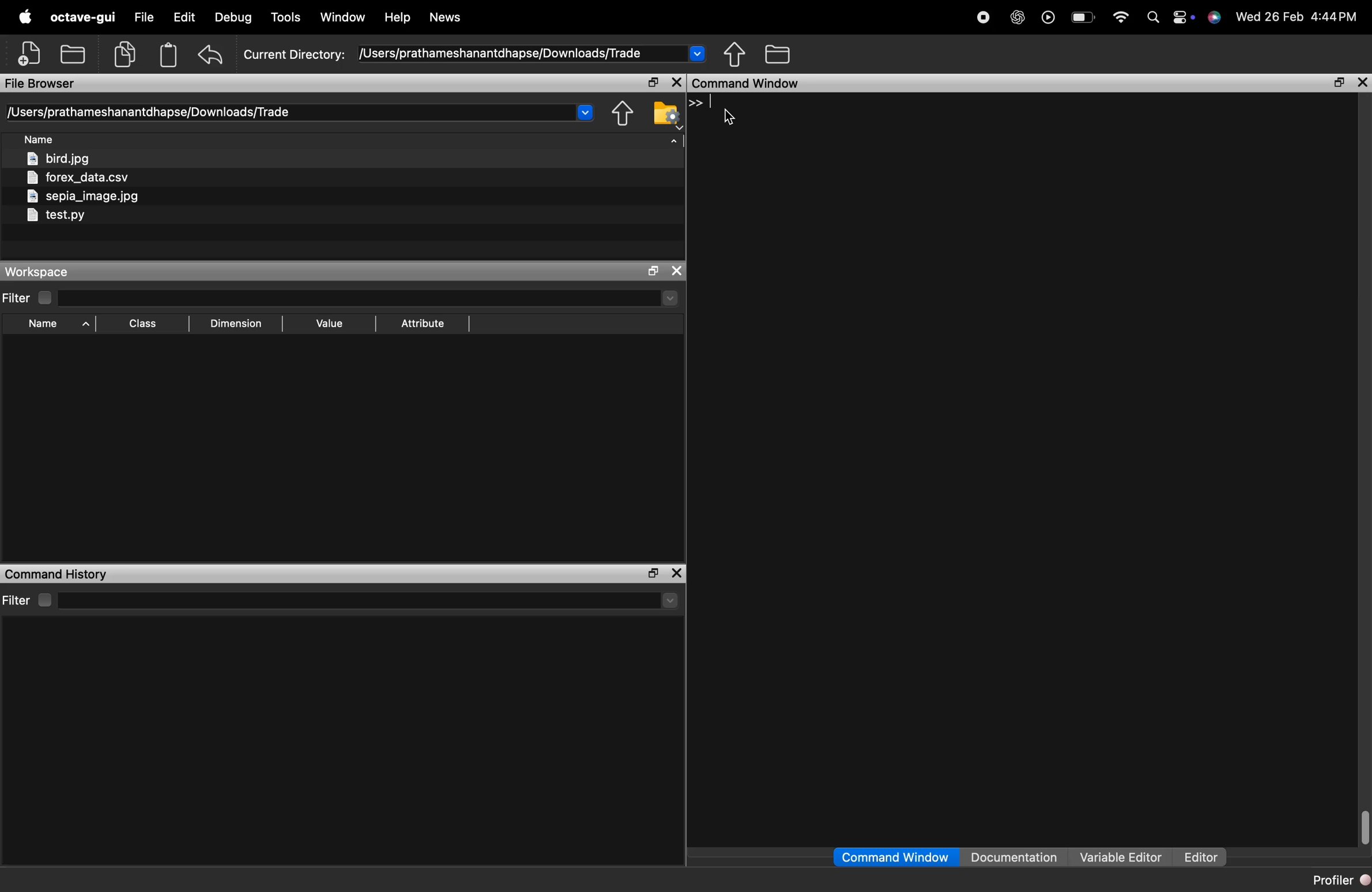 The image size is (1372, 892). Describe the element at coordinates (654, 82) in the screenshot. I see `open in separate window` at that location.